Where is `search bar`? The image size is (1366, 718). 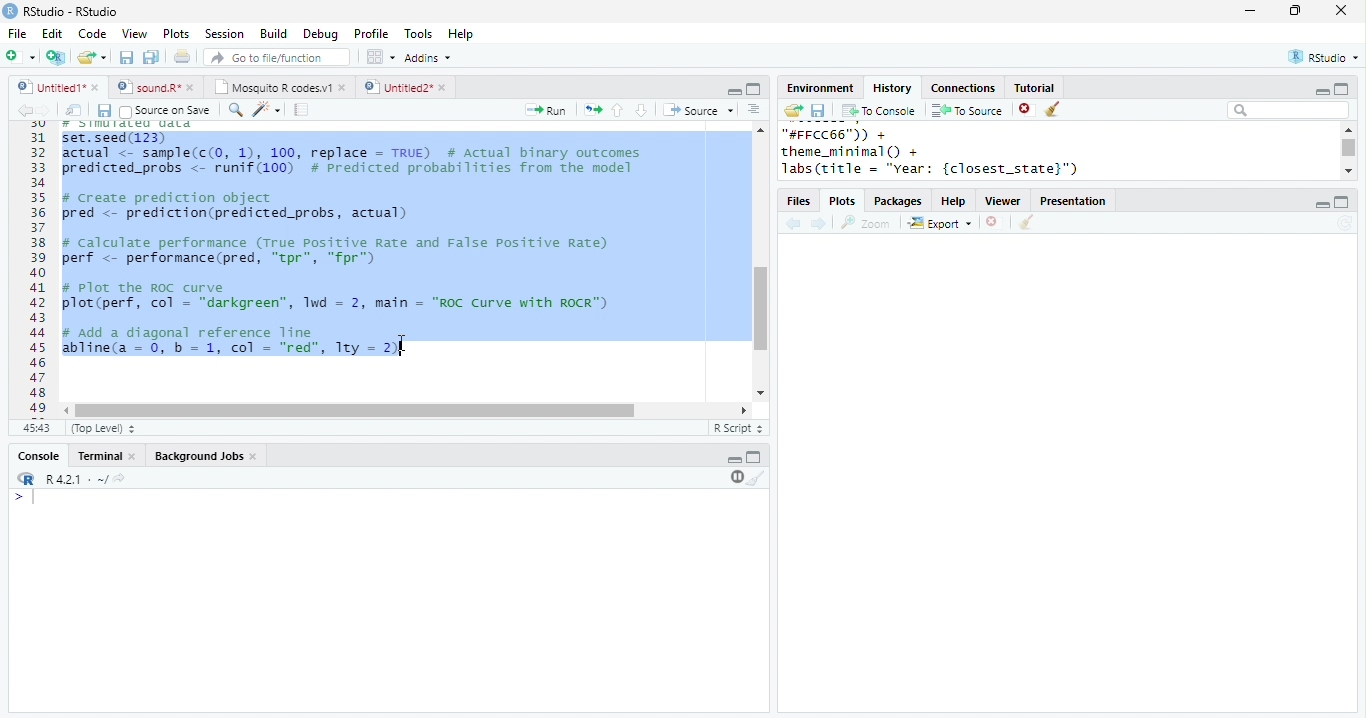 search bar is located at coordinates (1288, 109).